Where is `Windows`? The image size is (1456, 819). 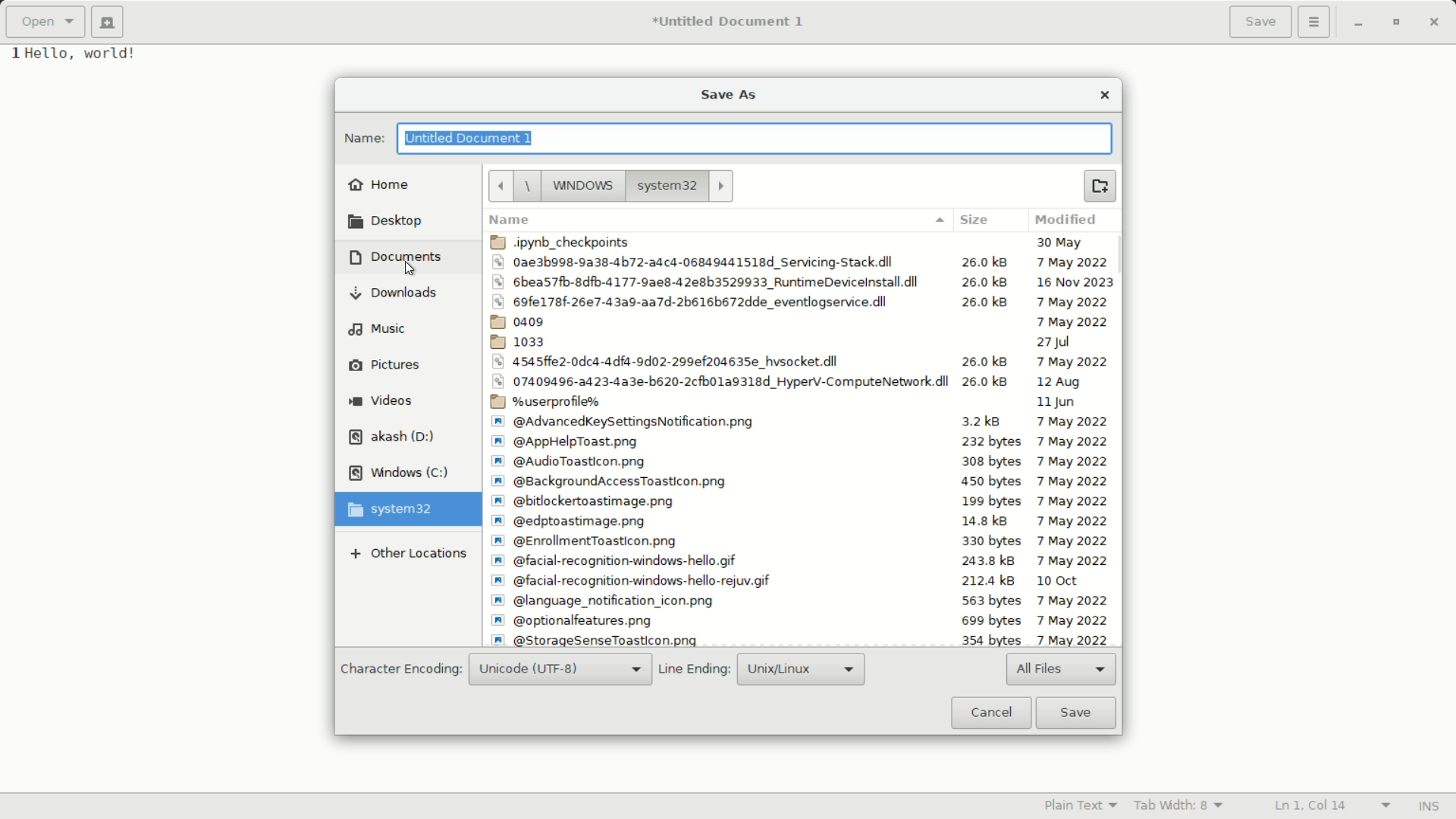
Windows is located at coordinates (572, 186).